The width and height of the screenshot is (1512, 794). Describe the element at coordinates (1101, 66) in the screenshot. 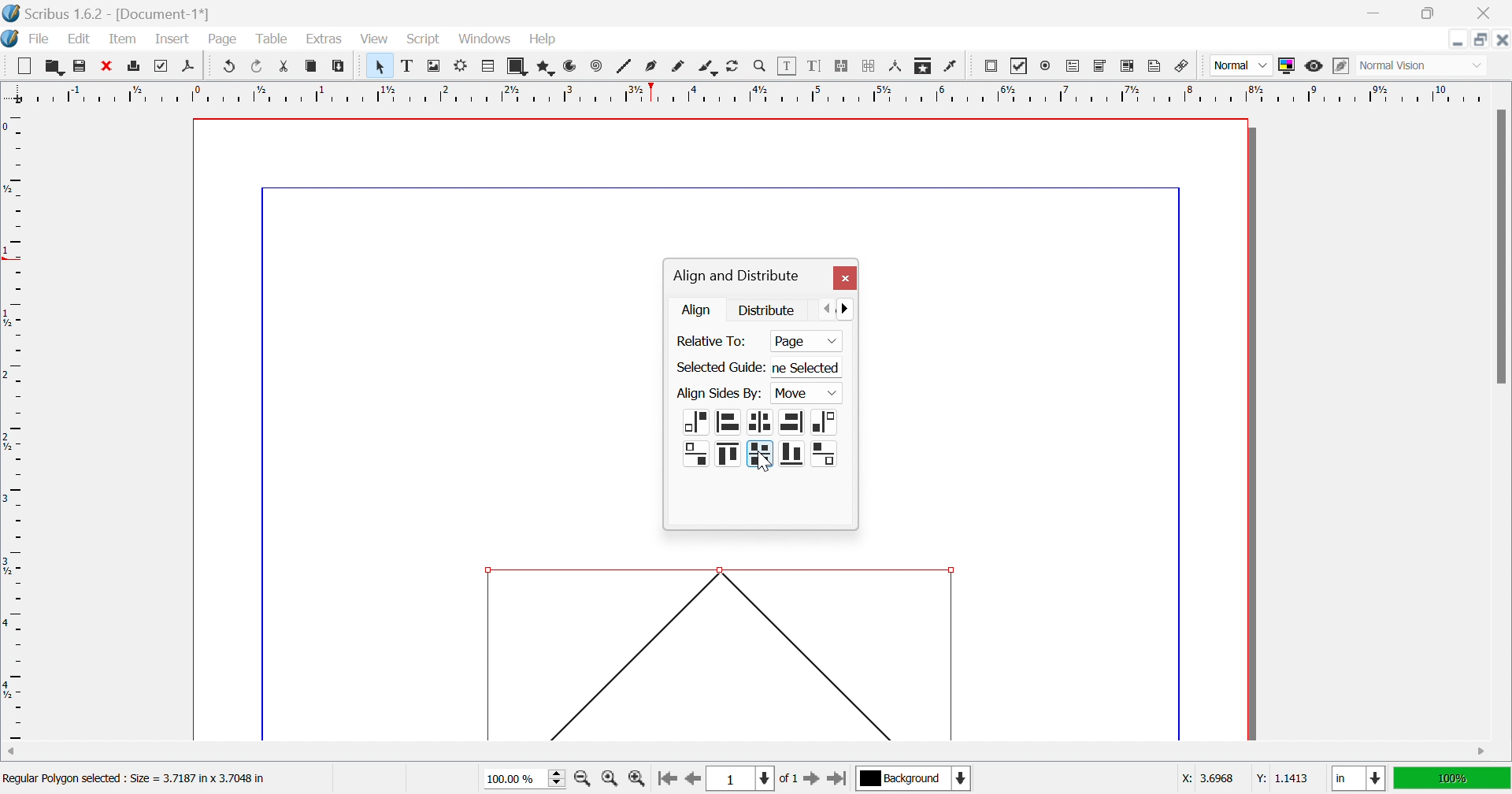

I see `PDF combo box` at that location.